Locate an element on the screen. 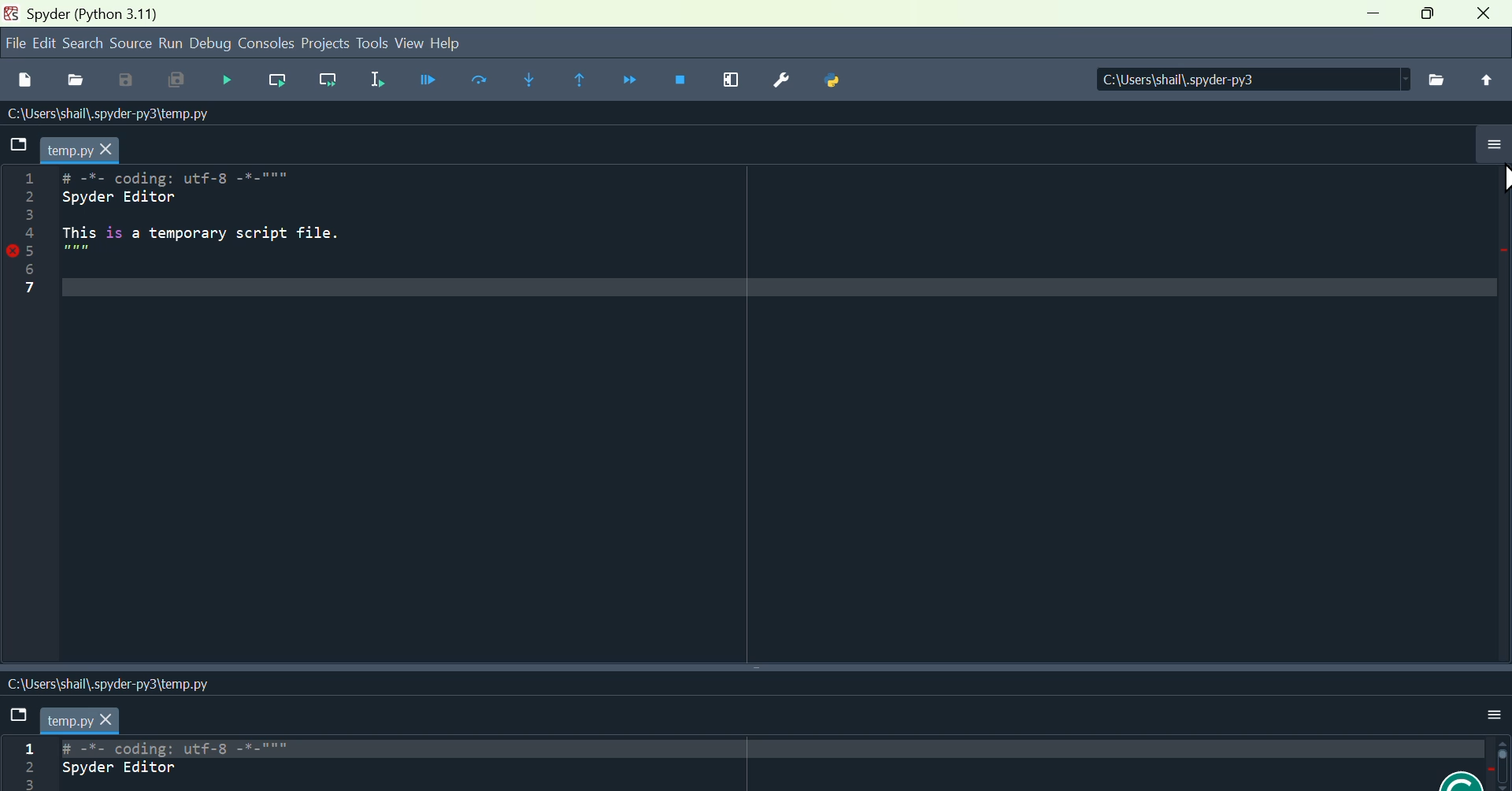  Settings is located at coordinates (781, 82).